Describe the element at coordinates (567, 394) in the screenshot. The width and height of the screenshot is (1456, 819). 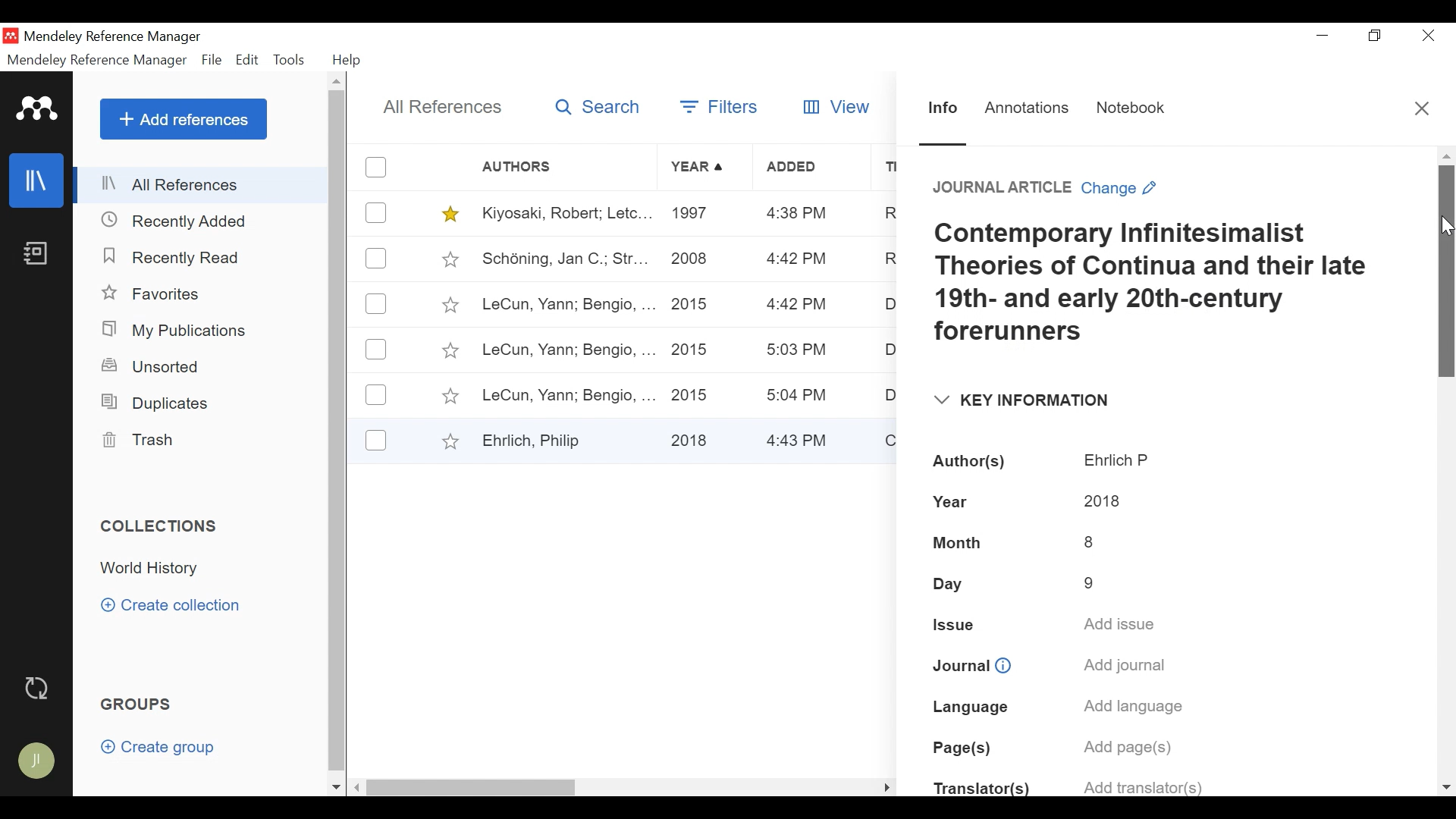
I see `LeCun, Yann; Bengio, ...` at that location.